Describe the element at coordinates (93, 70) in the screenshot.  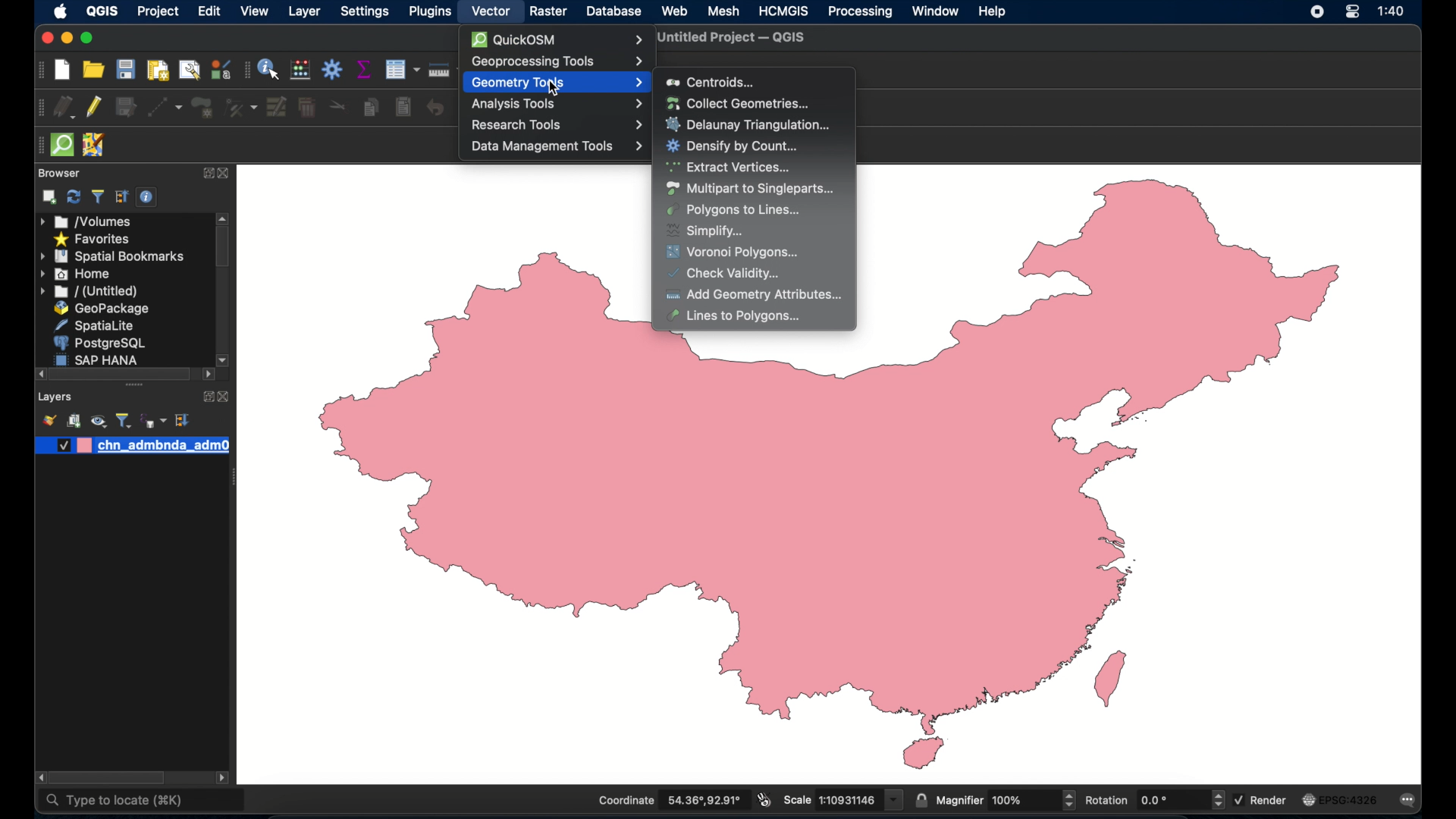
I see `open project` at that location.